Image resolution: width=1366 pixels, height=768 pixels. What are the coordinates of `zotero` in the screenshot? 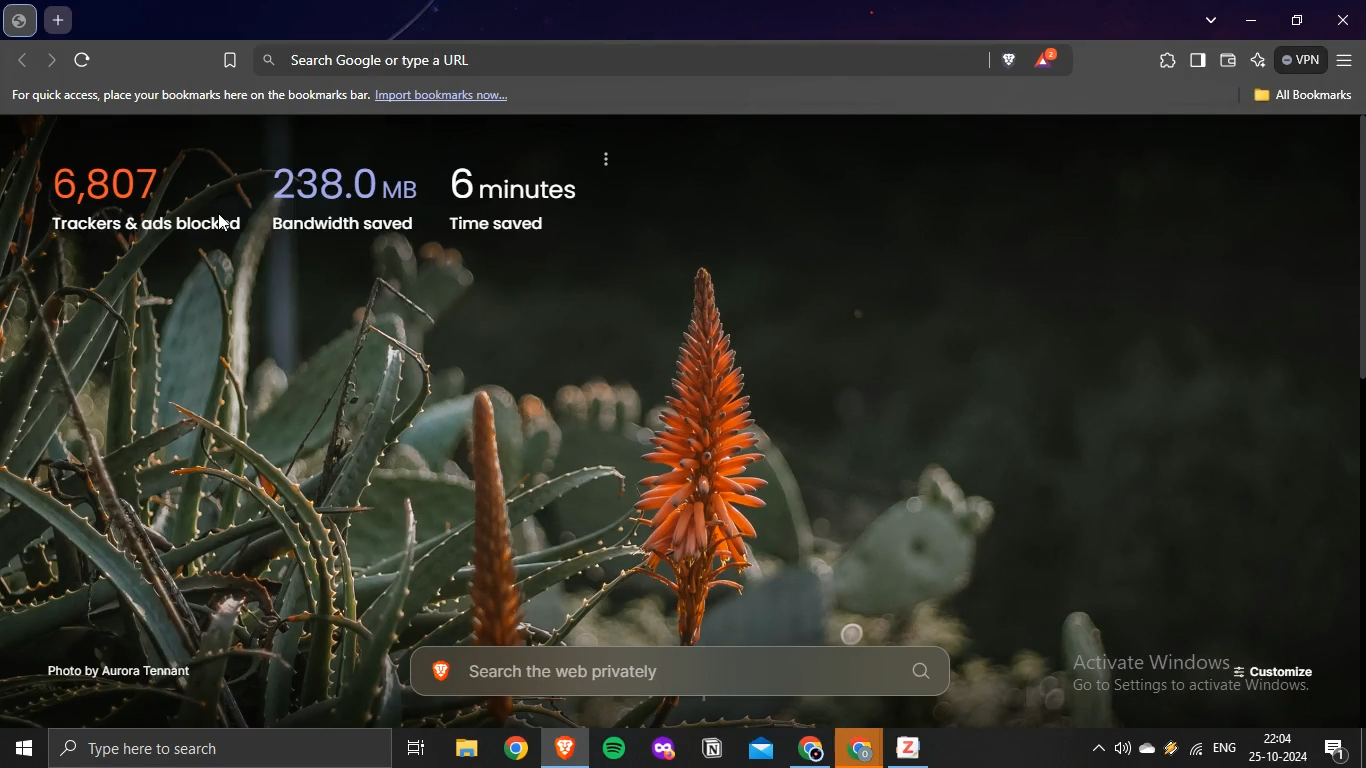 It's located at (910, 749).